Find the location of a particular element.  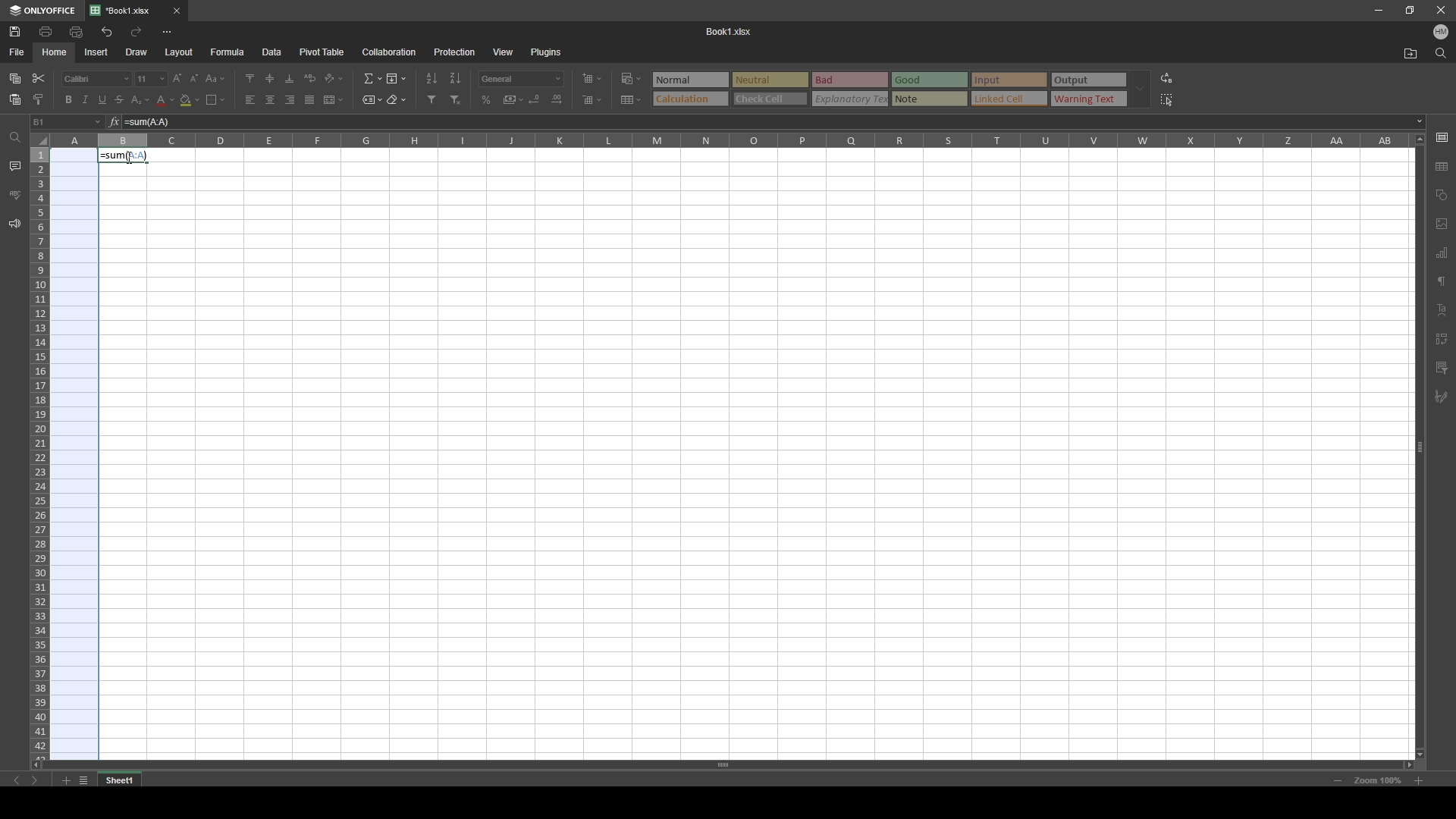

quick print is located at coordinates (77, 31).